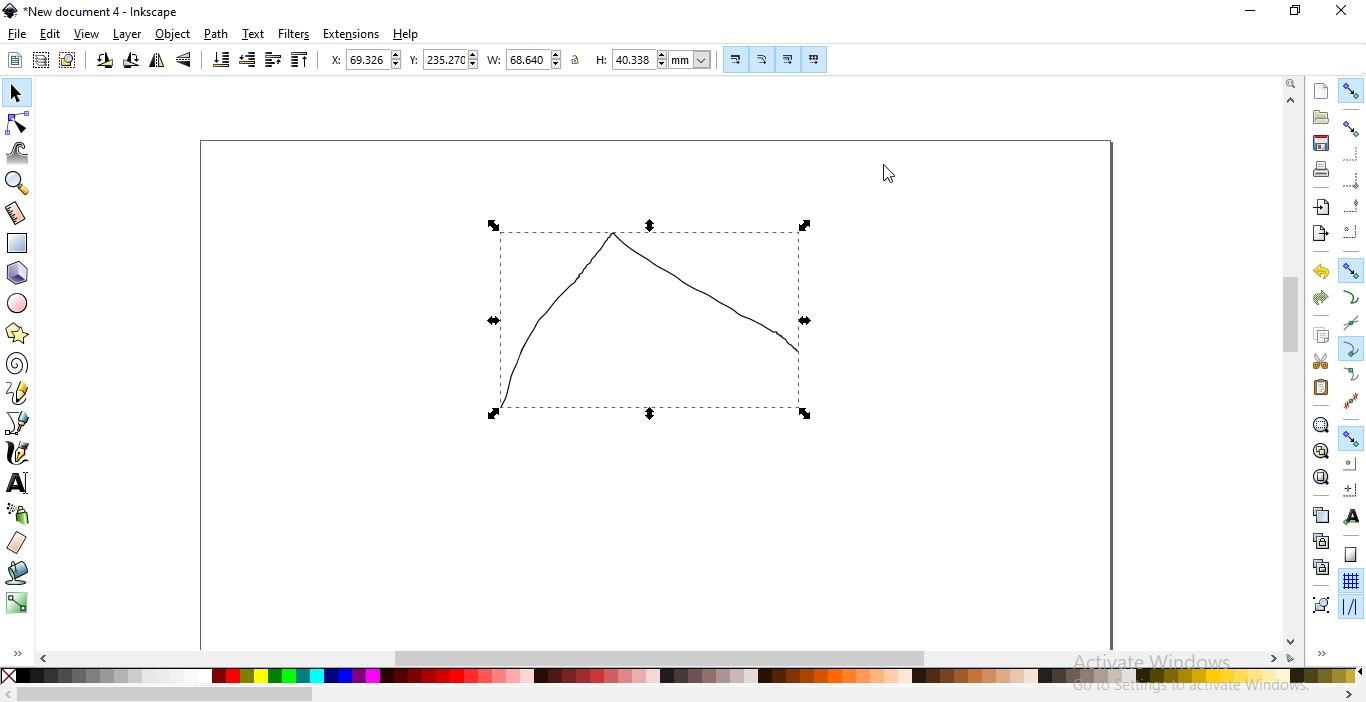 The width and height of the screenshot is (1366, 702). Describe the element at coordinates (1320, 169) in the screenshot. I see `print document` at that location.